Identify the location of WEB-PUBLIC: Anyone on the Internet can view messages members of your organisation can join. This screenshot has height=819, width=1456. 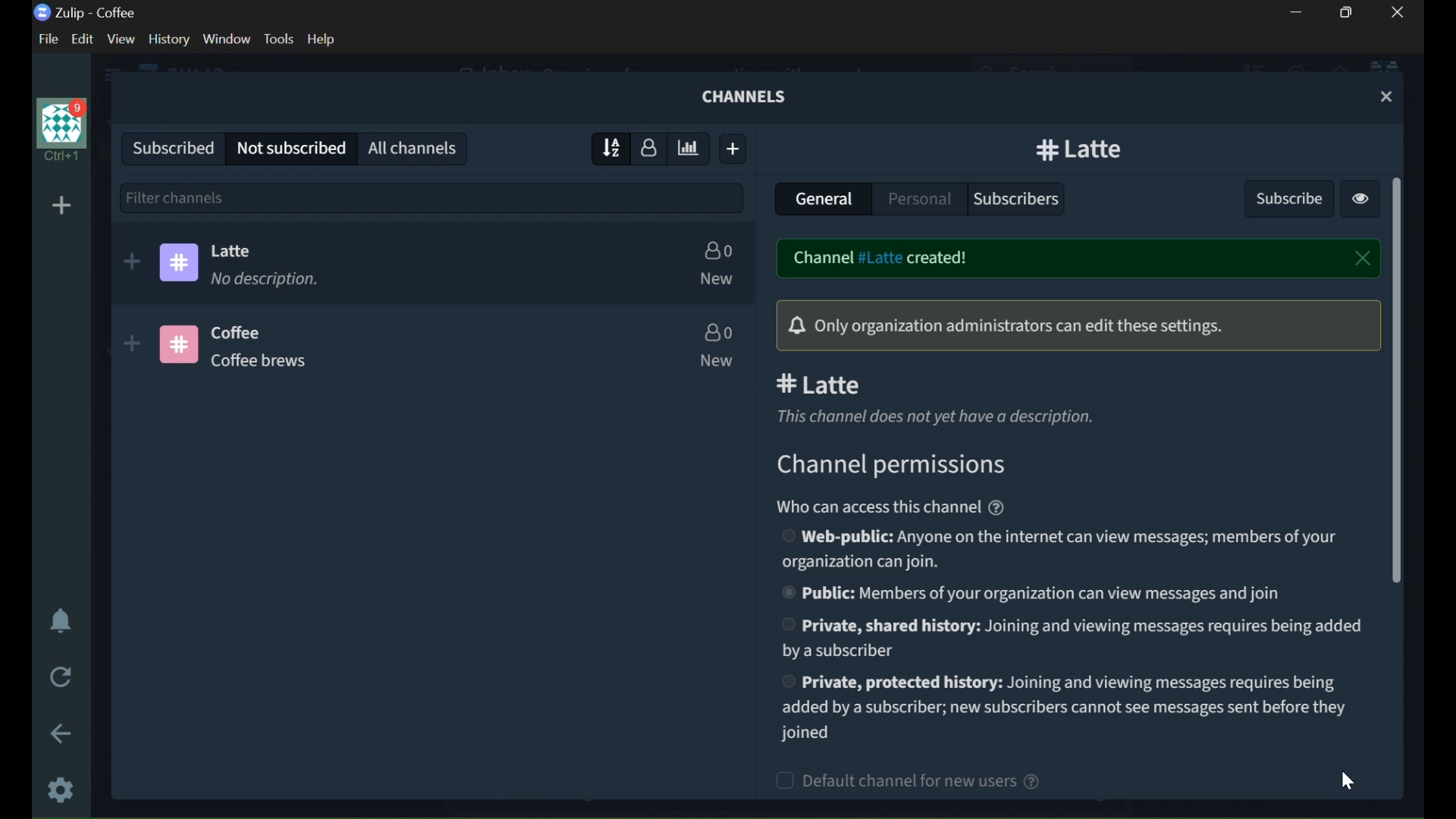
(1065, 549).